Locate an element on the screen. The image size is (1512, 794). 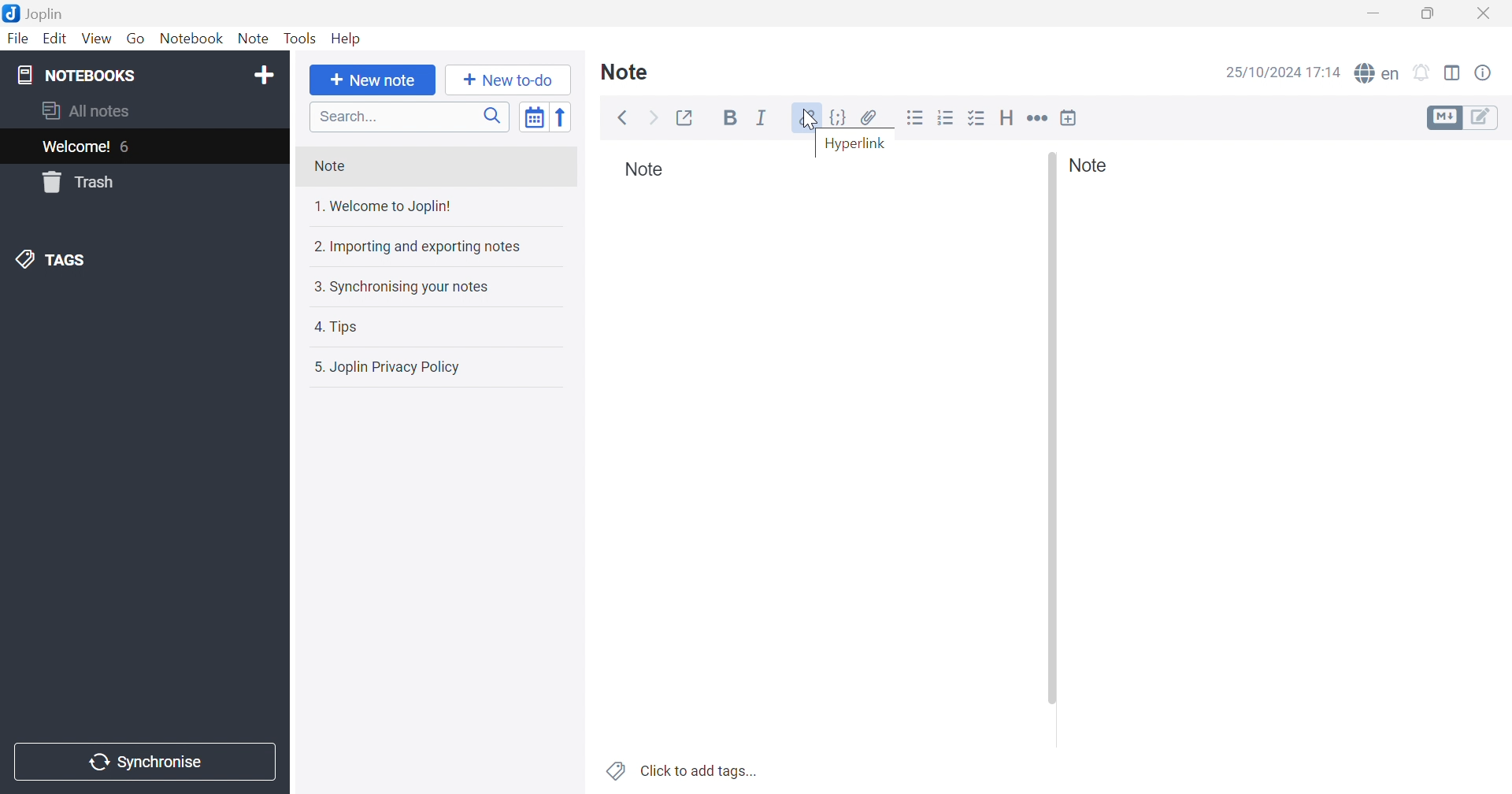
cursor is located at coordinates (812, 121).